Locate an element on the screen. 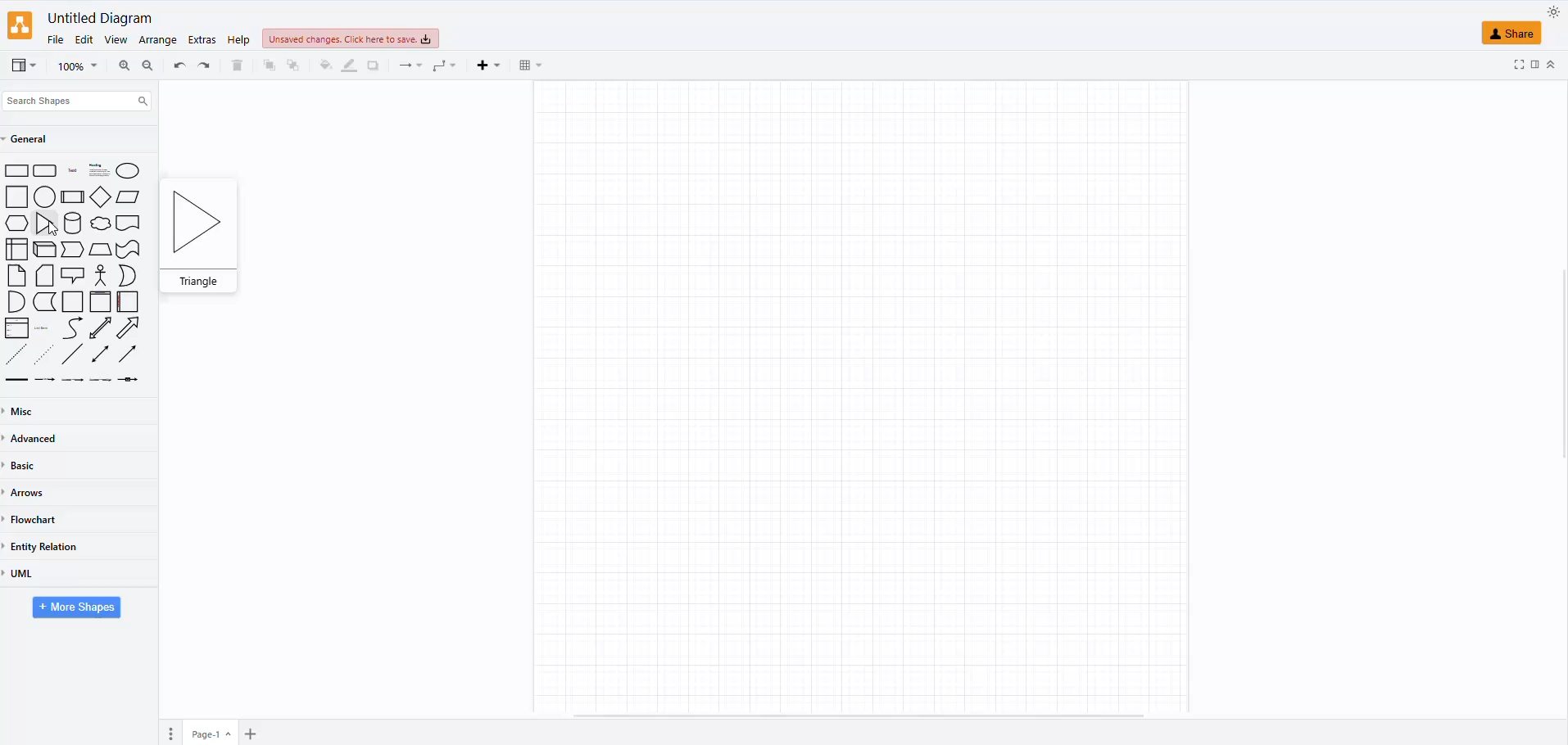  view is located at coordinates (115, 38).